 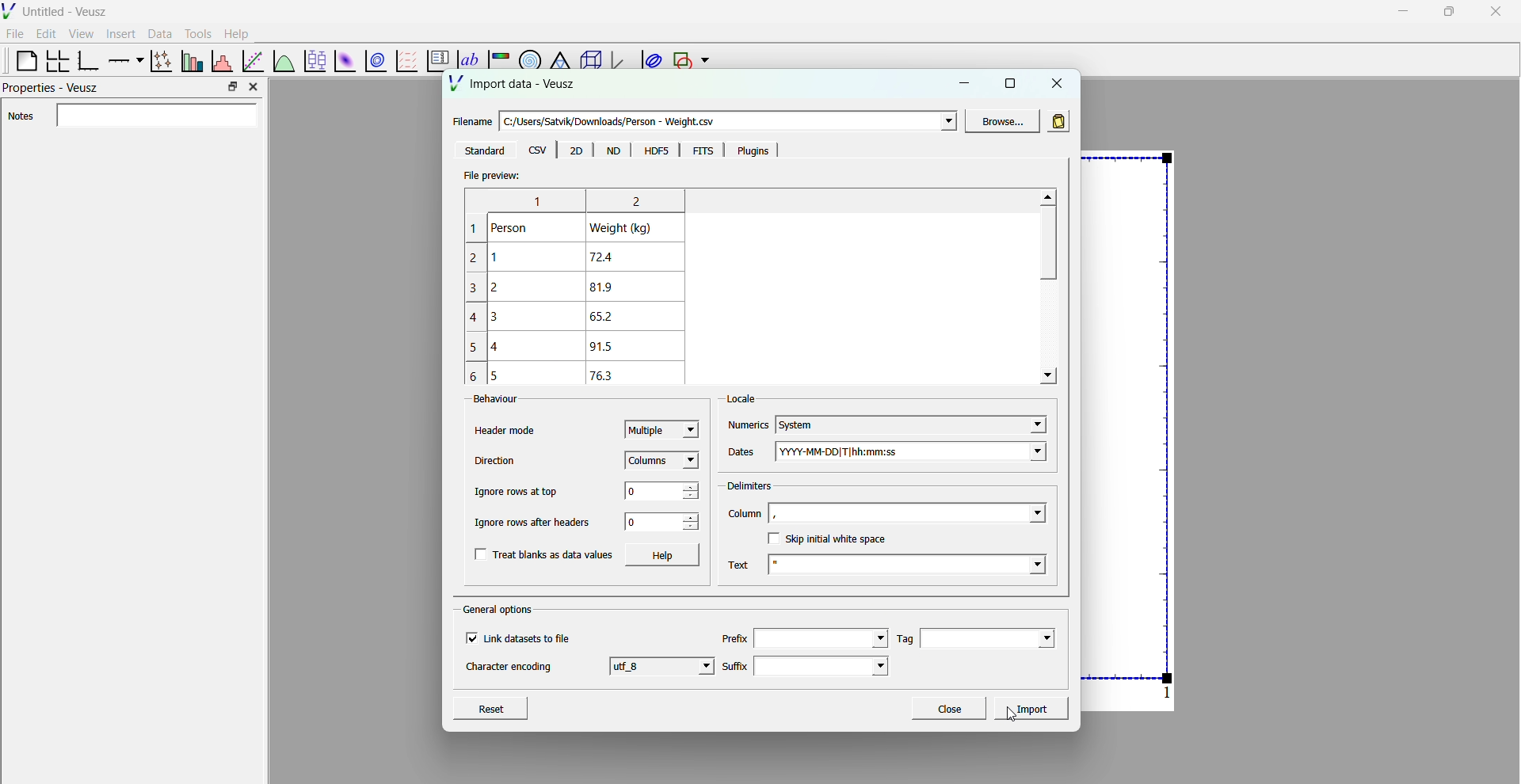 What do you see at coordinates (995, 637) in the screenshot?
I see `Tag - dropdown` at bounding box center [995, 637].